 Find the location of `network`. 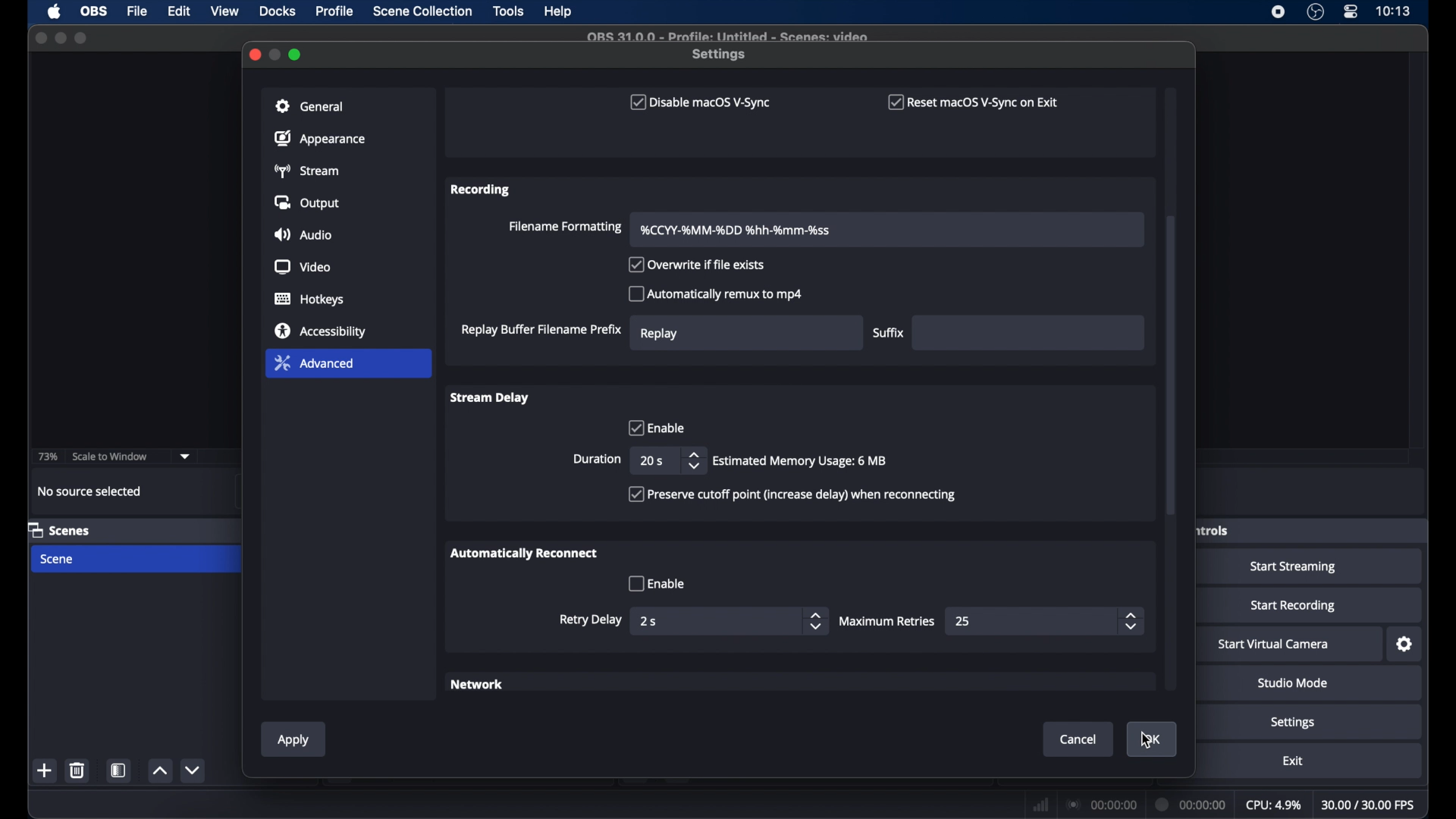

network is located at coordinates (1040, 803).